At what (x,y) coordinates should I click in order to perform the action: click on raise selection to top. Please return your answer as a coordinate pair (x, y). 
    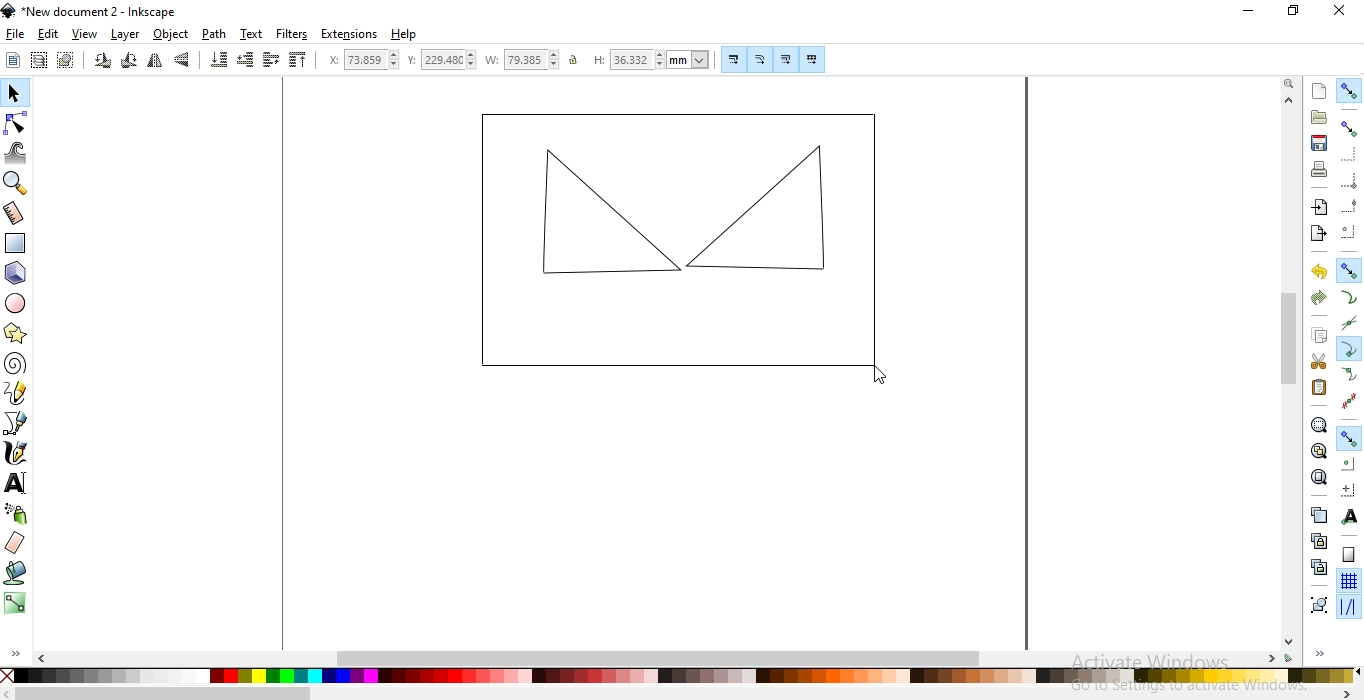
    Looking at the image, I should click on (298, 60).